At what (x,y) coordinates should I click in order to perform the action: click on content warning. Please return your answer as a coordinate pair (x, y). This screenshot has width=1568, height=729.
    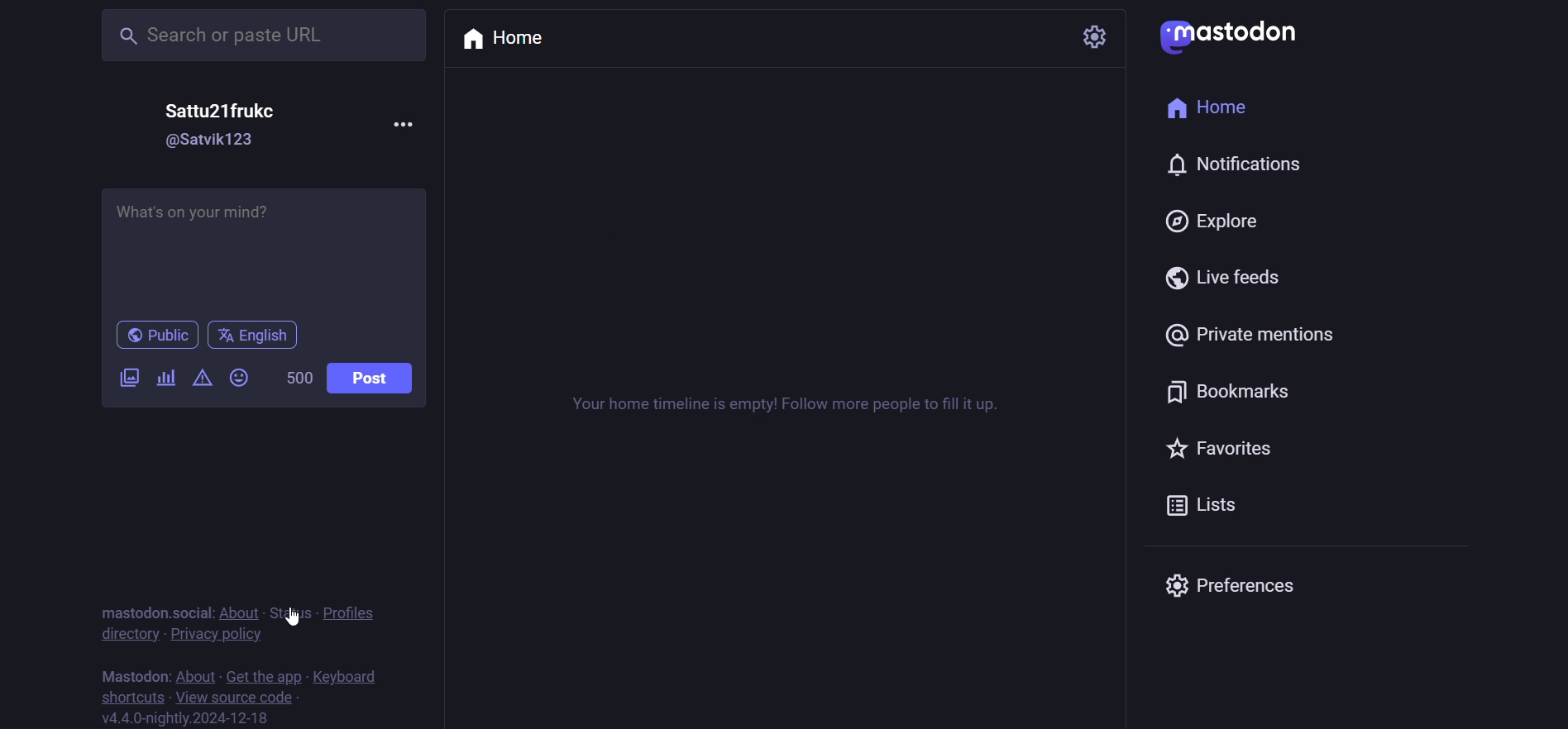
    Looking at the image, I should click on (198, 378).